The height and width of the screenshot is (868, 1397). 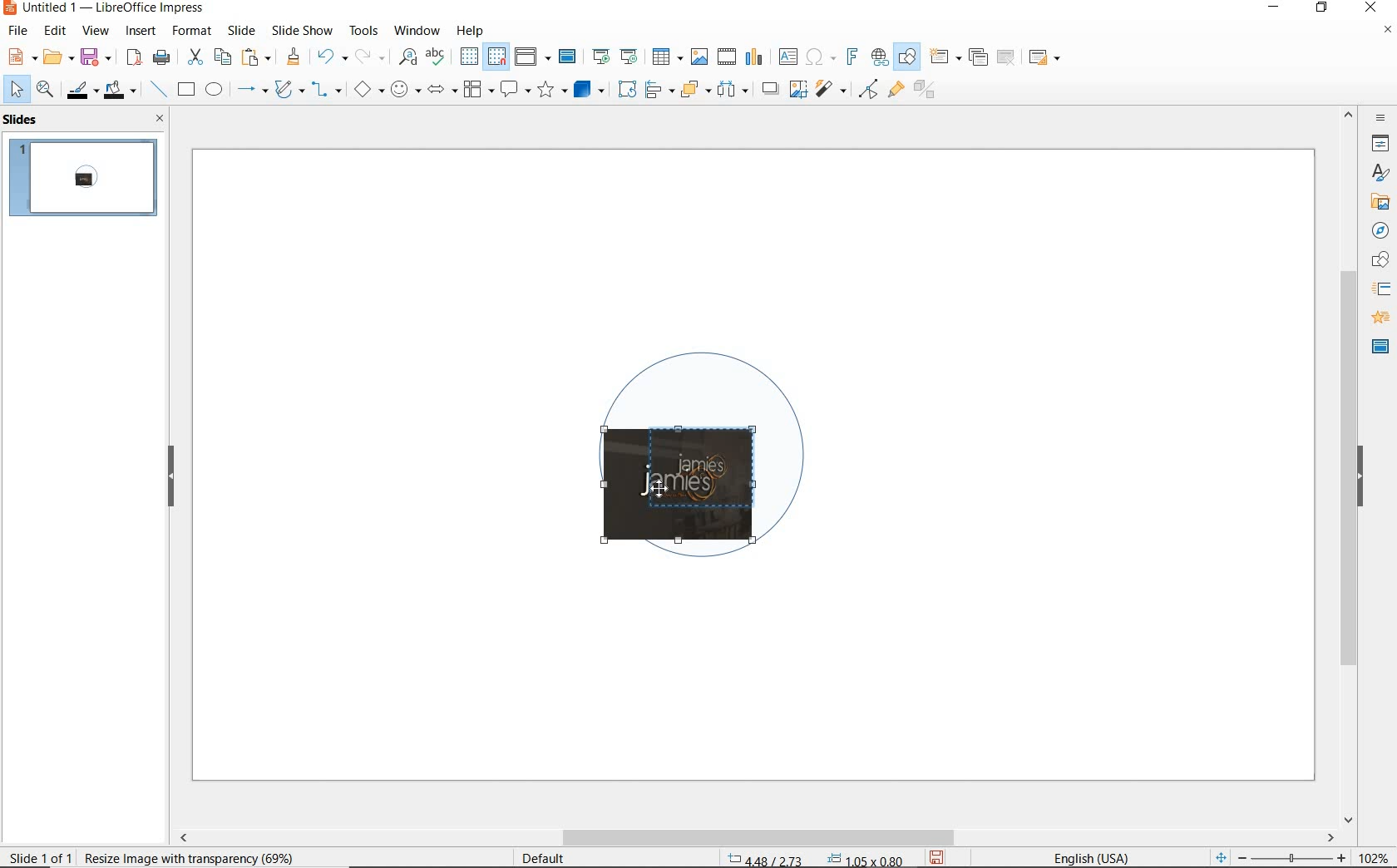 I want to click on callout shapes, so click(x=512, y=91).